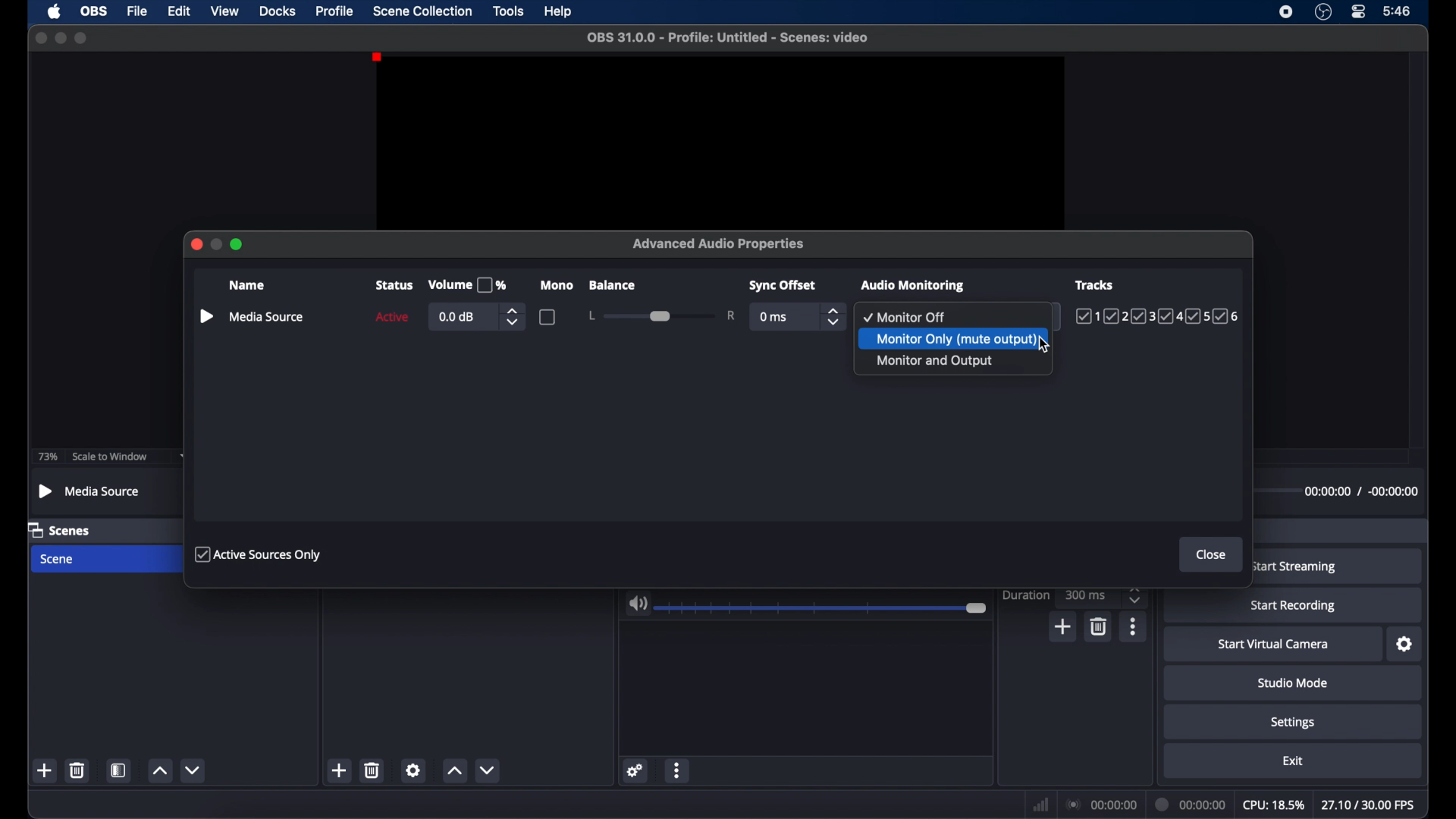 This screenshot has height=819, width=1456. Describe the element at coordinates (513, 316) in the screenshot. I see `stepper buttons` at that location.